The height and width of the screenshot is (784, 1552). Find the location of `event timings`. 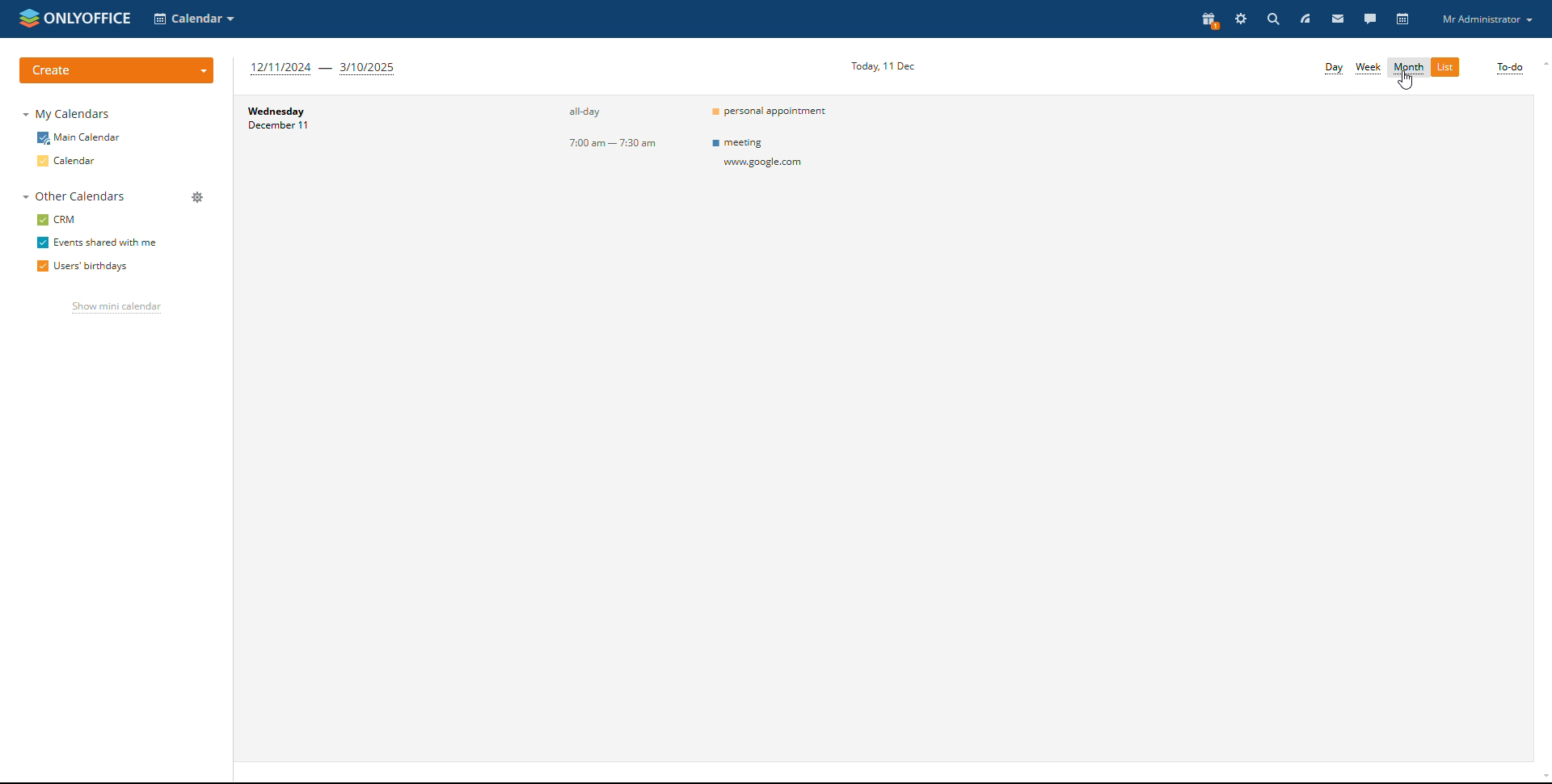

event timings is located at coordinates (608, 129).